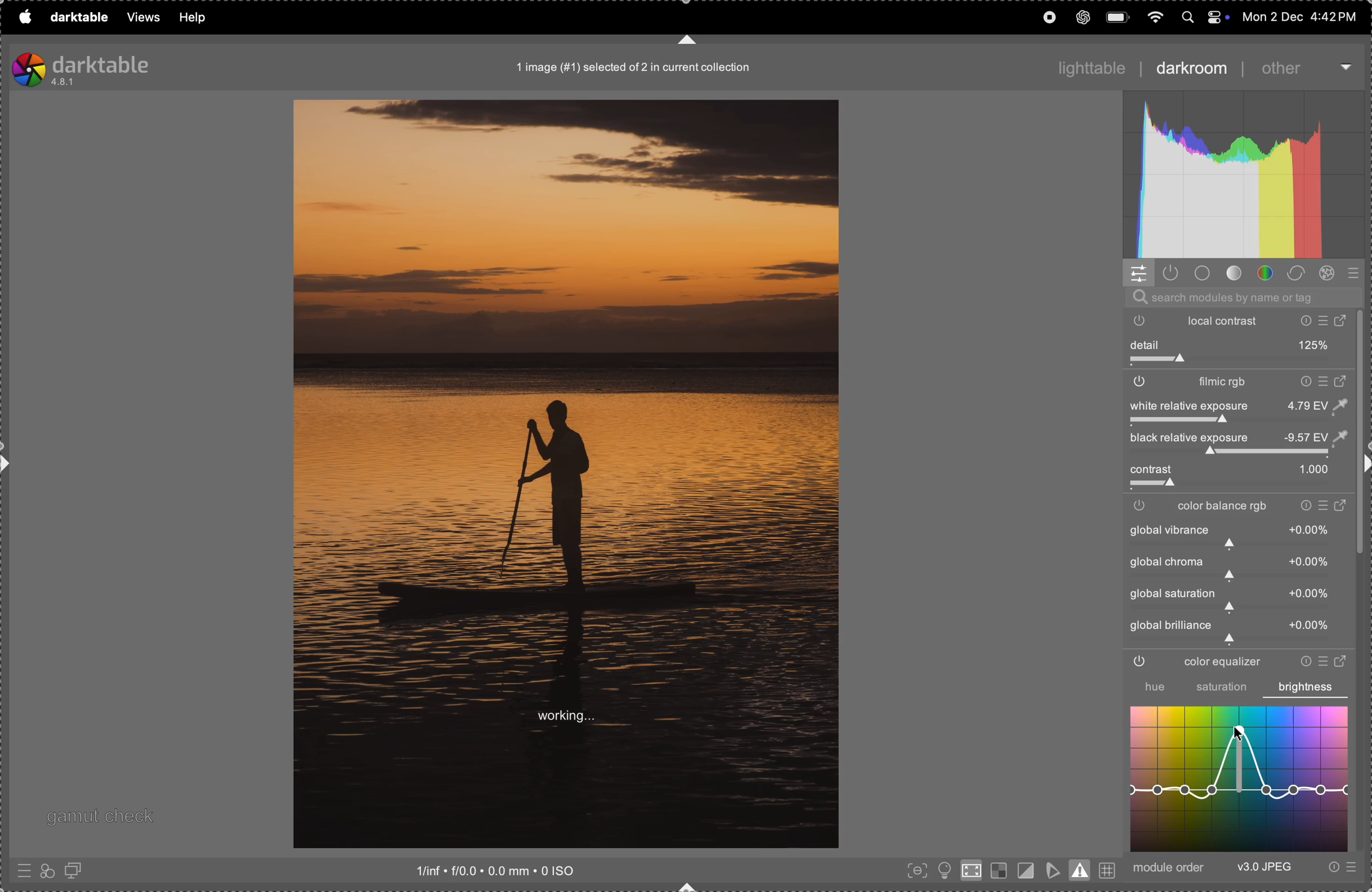 This screenshot has width=1372, height=892. Describe the element at coordinates (1235, 567) in the screenshot. I see `global variance` at that location.